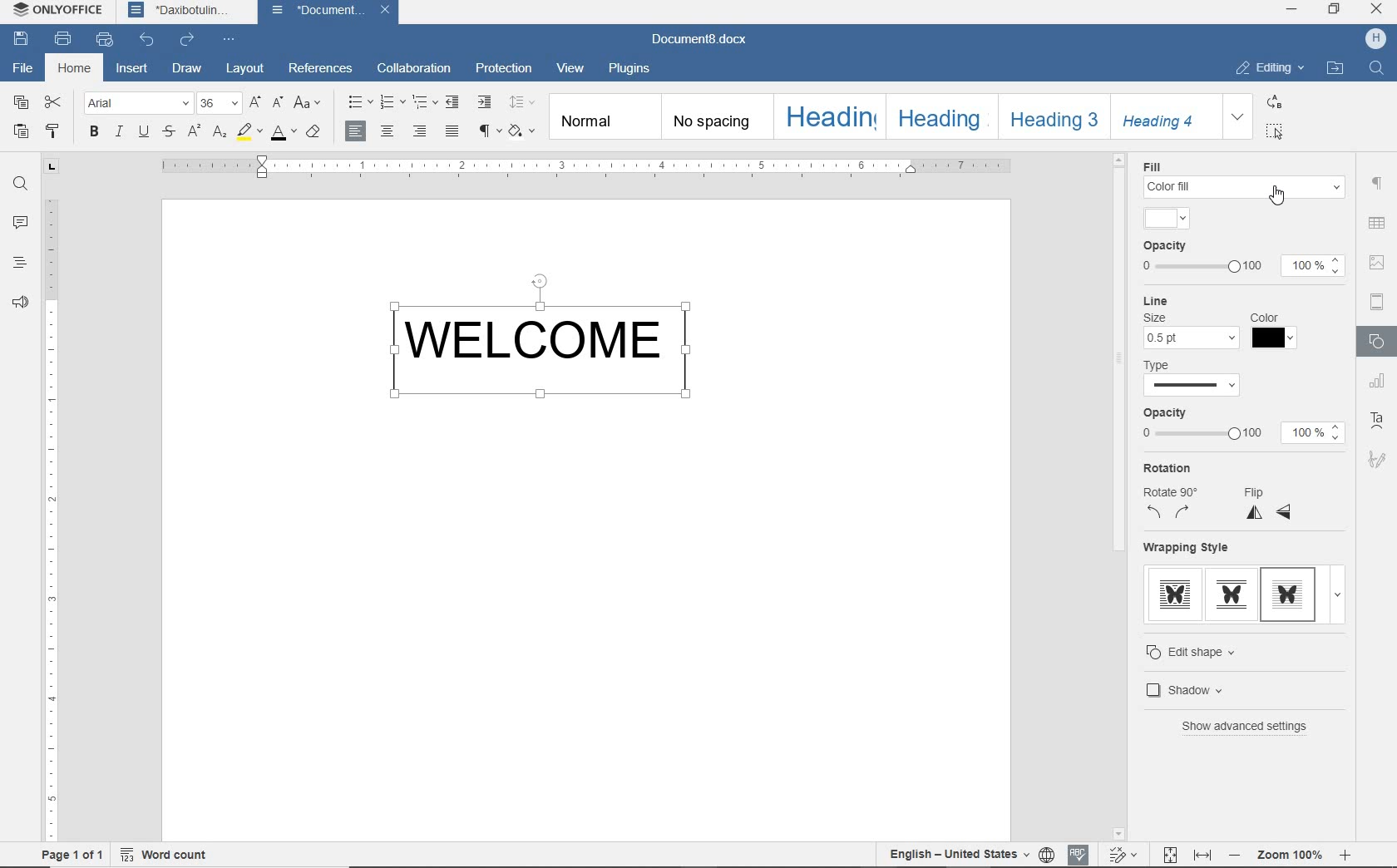 This screenshot has width=1397, height=868. What do you see at coordinates (1207, 652) in the screenshot?
I see `edit shape` at bounding box center [1207, 652].